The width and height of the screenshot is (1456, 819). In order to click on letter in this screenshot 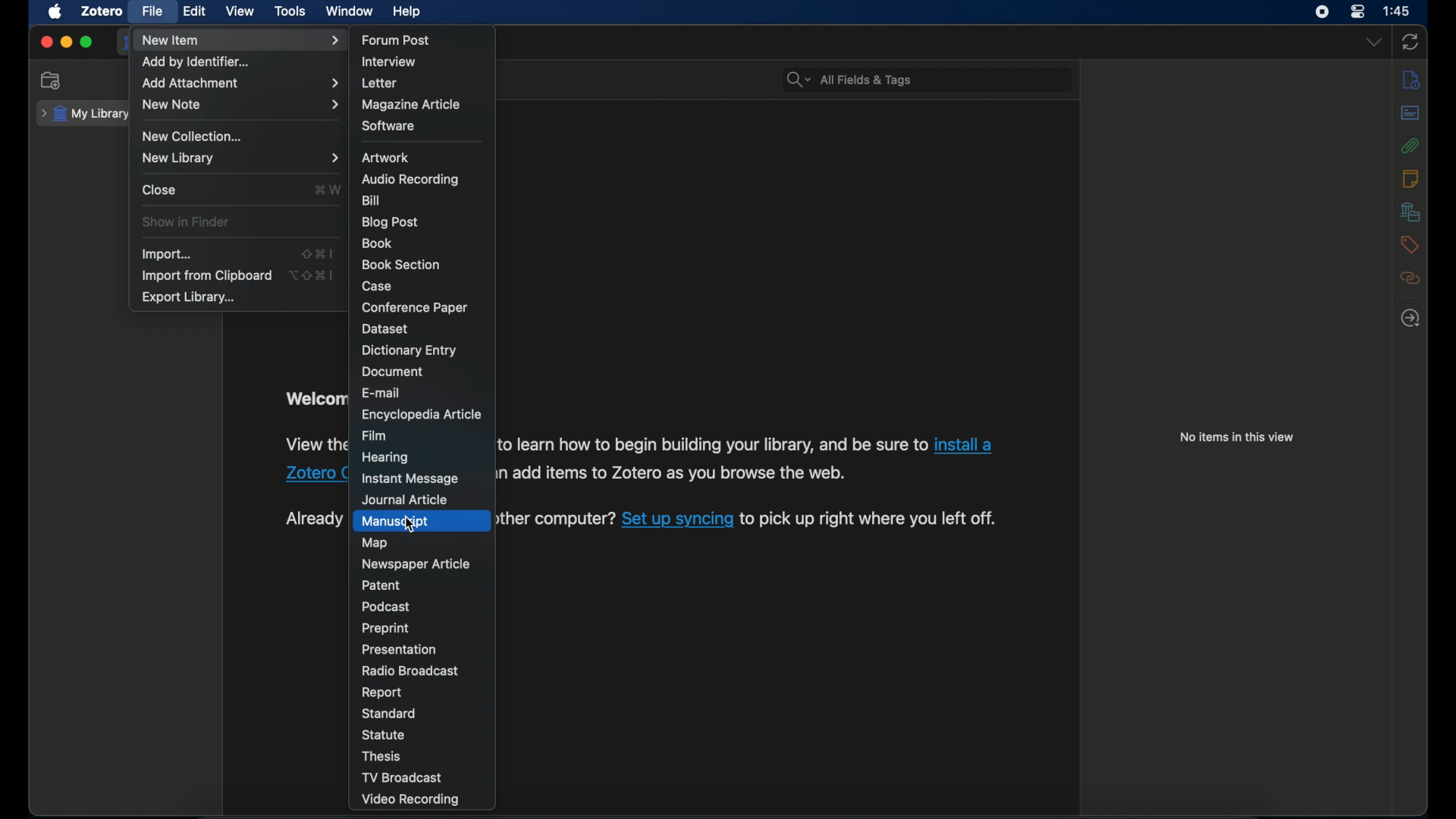, I will do `click(379, 83)`.